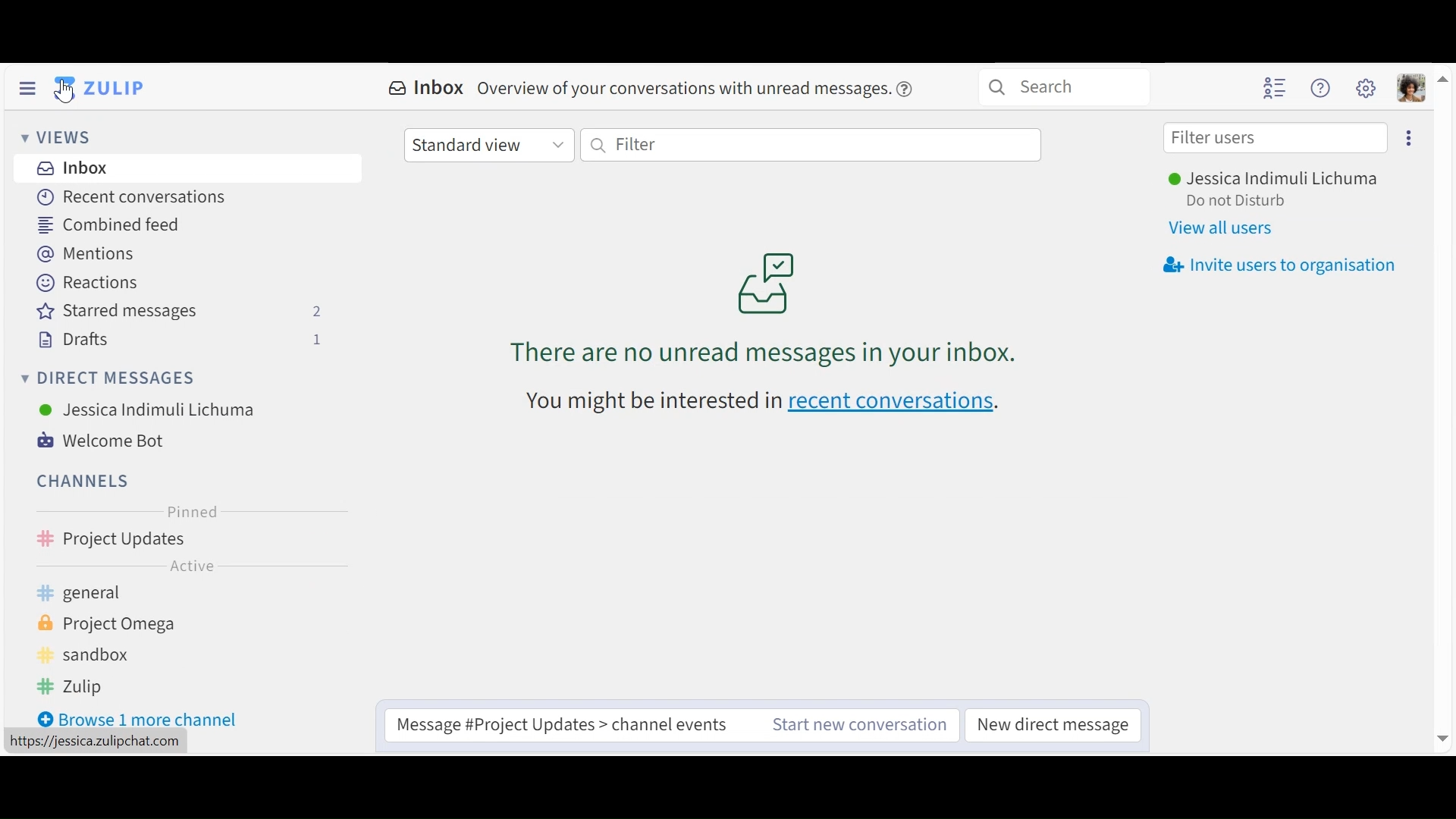  I want to click on Vertical Scrollbar, so click(1443, 406).